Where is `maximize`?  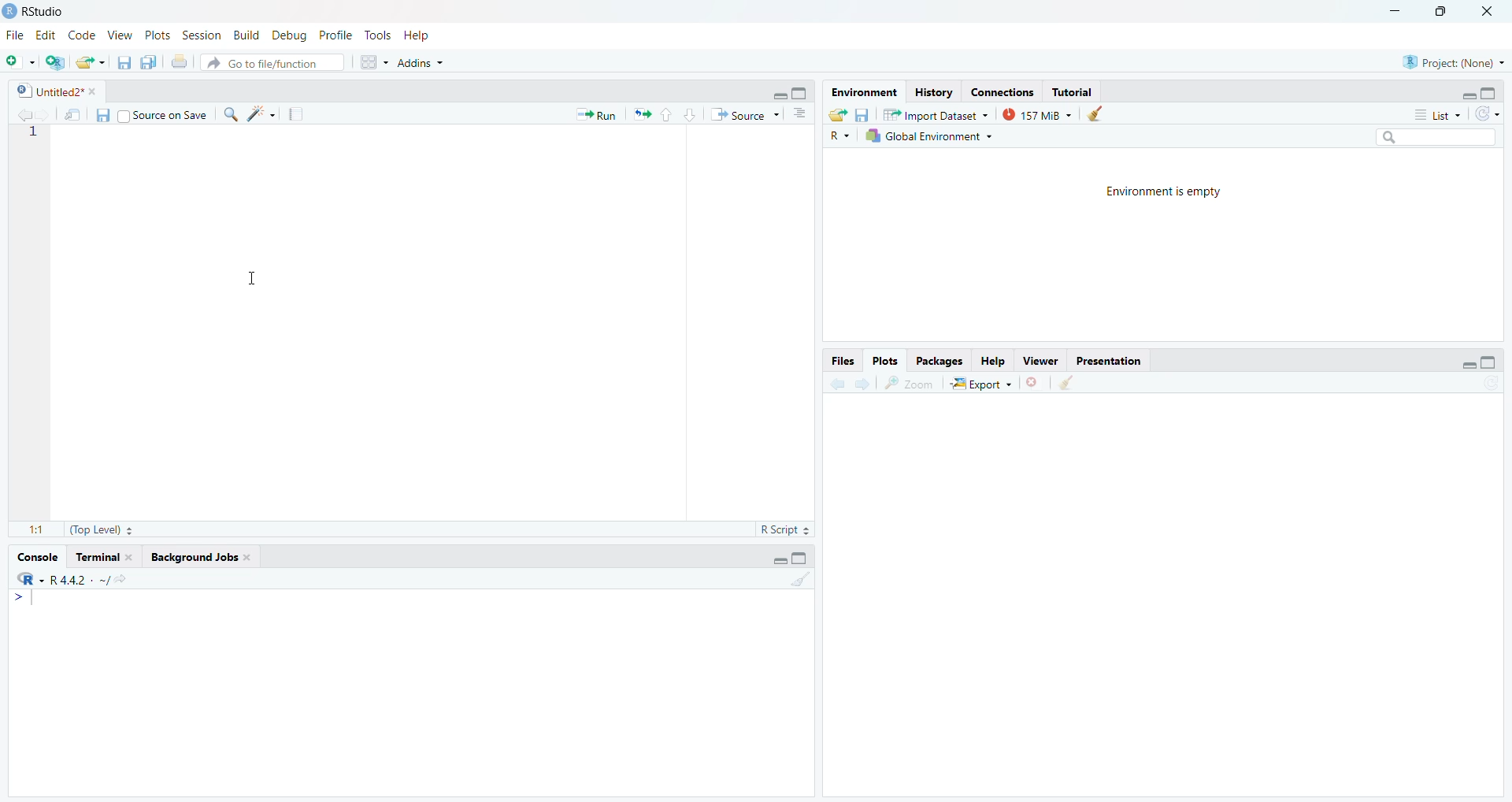
maximize is located at coordinates (1443, 12).